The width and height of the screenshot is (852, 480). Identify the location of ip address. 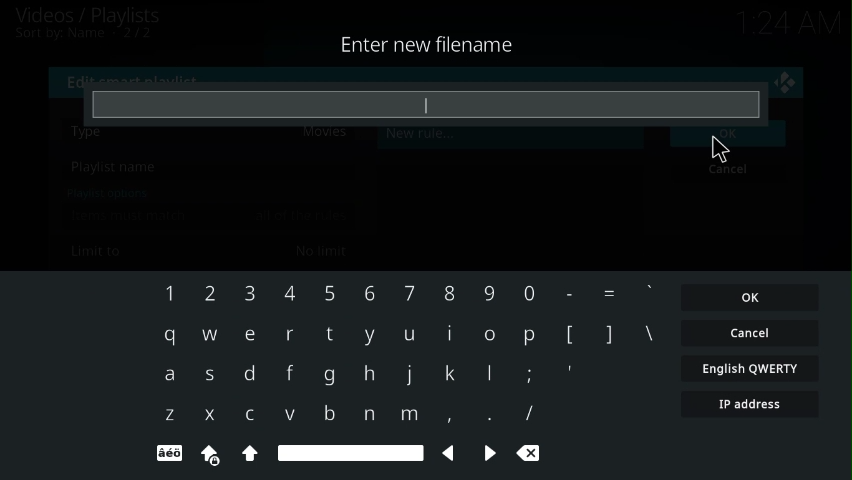
(751, 405).